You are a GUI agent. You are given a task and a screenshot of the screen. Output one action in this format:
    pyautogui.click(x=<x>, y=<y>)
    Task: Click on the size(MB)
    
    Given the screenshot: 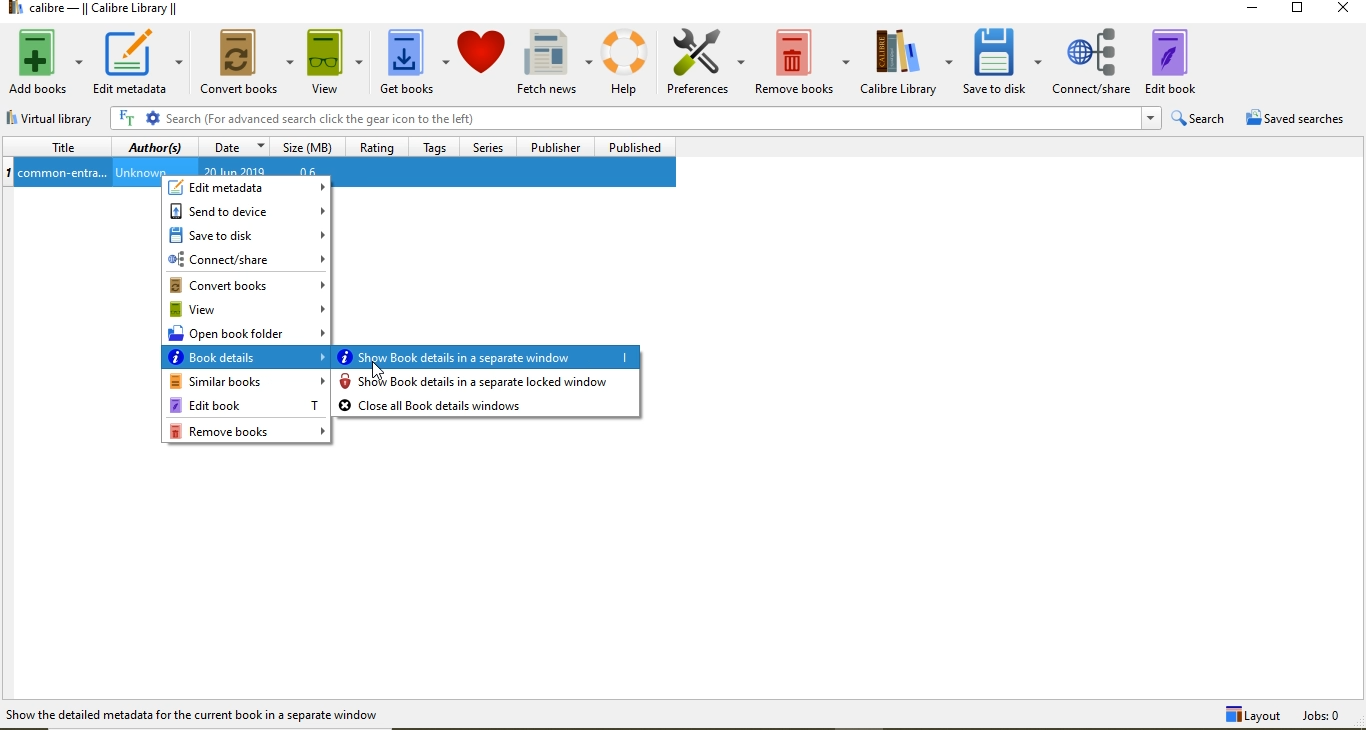 What is the action you would take?
    pyautogui.click(x=304, y=148)
    